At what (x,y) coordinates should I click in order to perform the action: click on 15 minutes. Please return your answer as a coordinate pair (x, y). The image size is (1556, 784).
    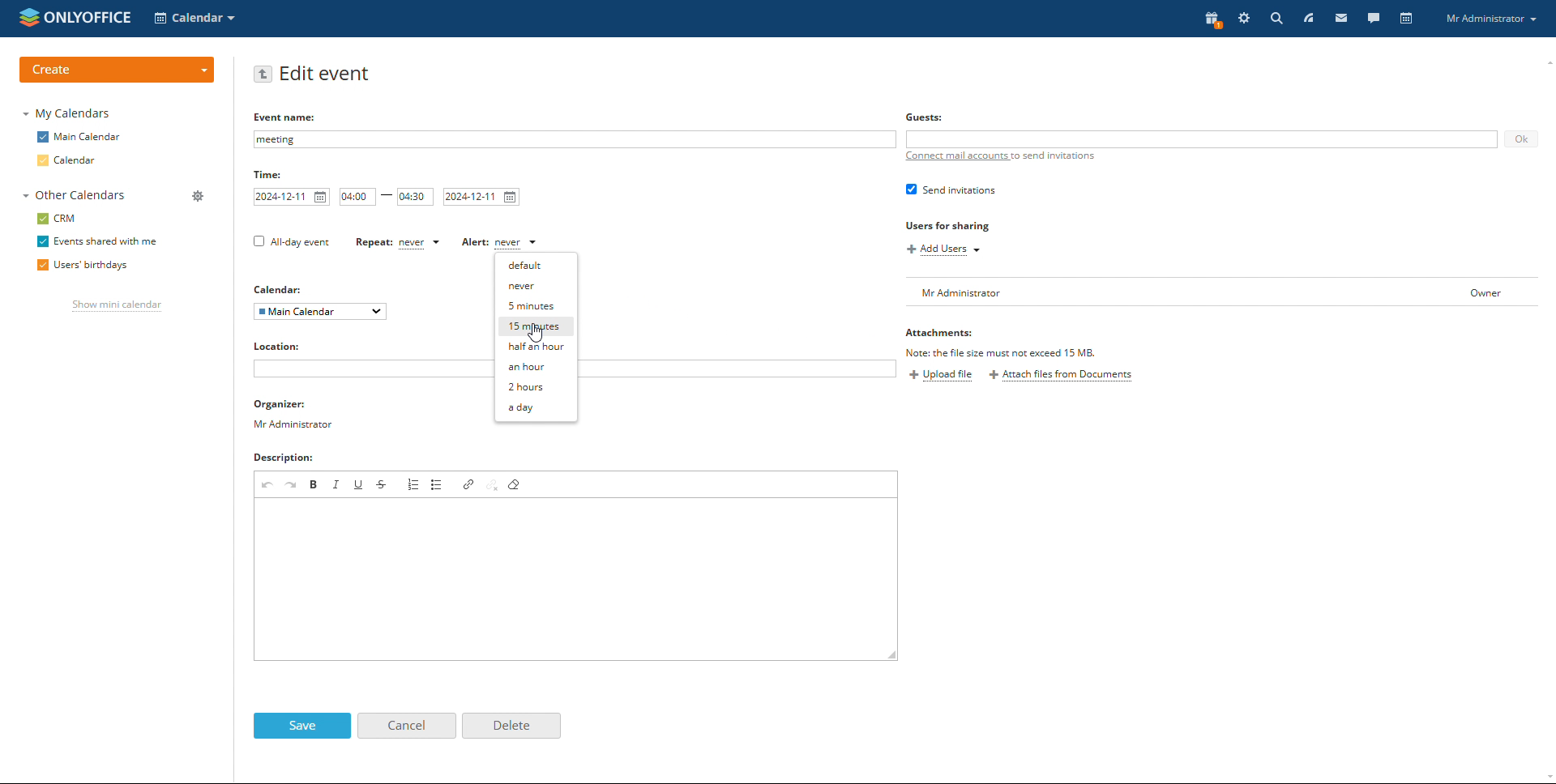
    Looking at the image, I should click on (537, 326).